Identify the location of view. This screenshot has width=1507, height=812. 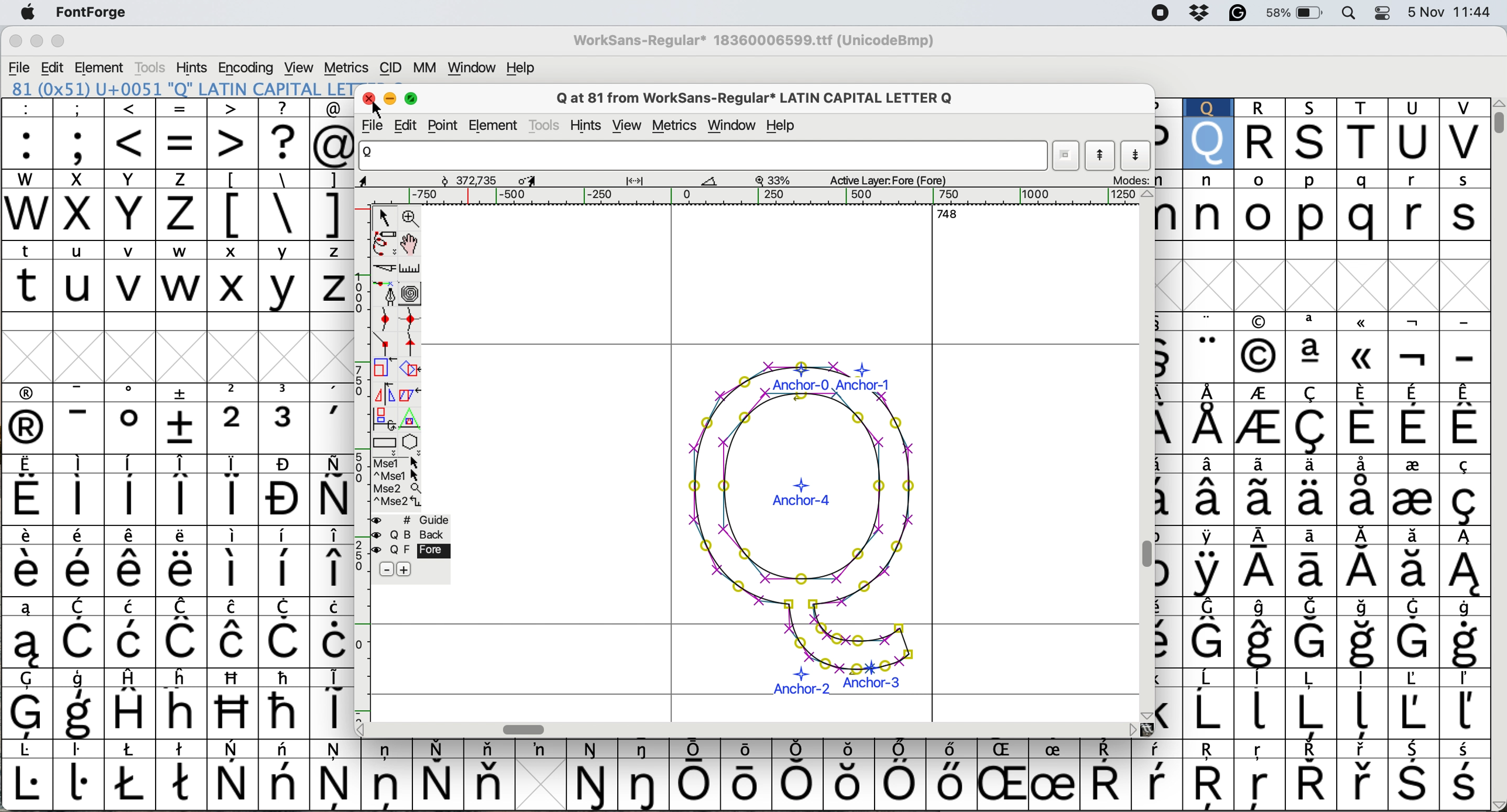
(628, 124).